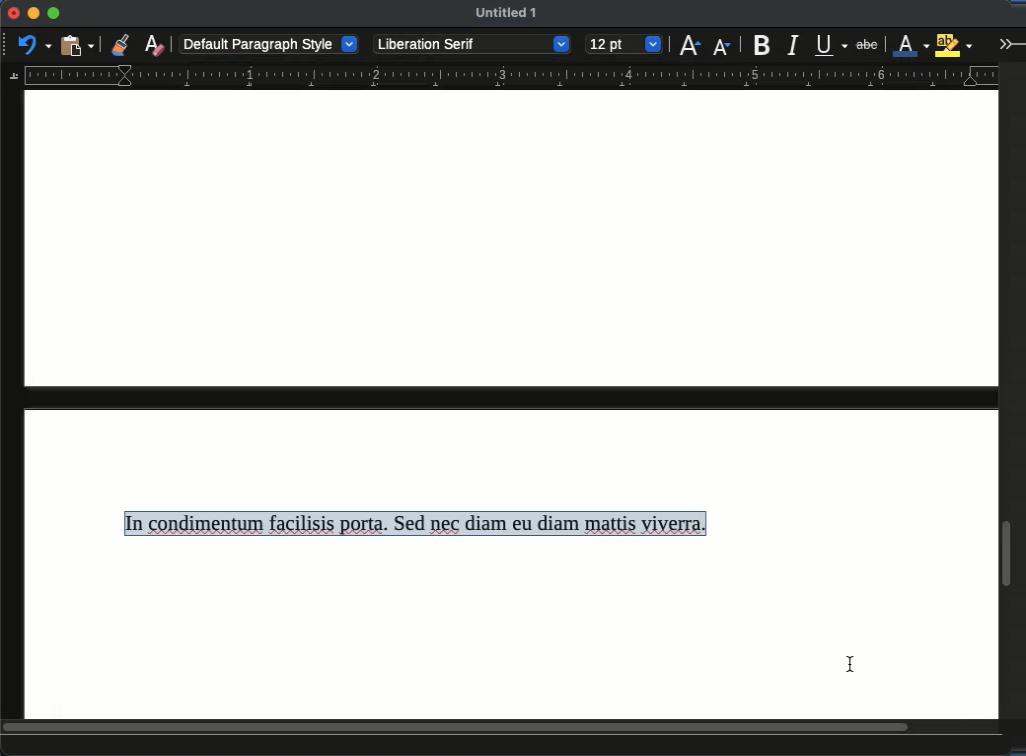  Describe the element at coordinates (624, 45) in the screenshot. I see `12 pt` at that location.